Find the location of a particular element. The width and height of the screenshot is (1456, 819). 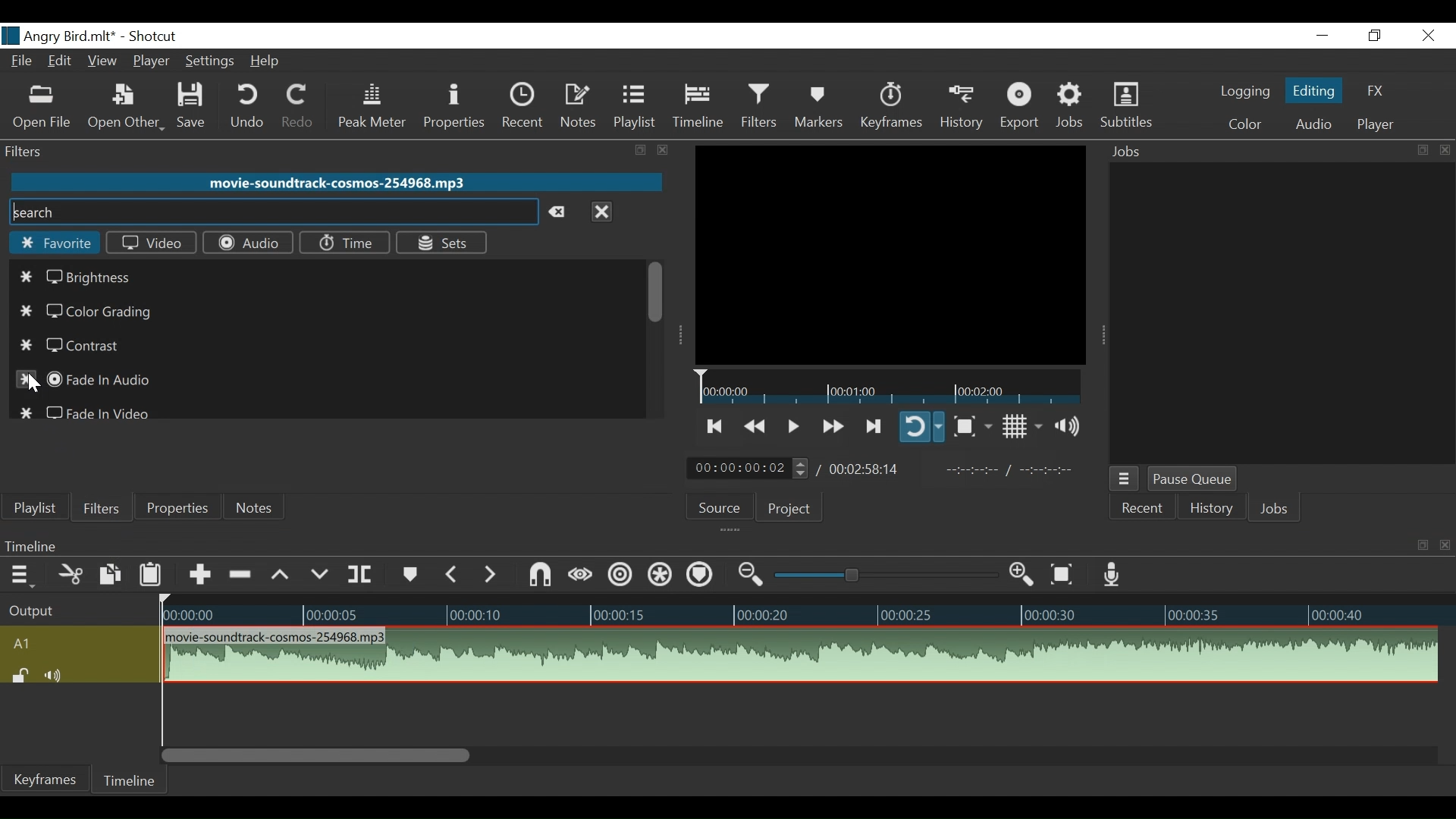

Zoom timeline in is located at coordinates (1025, 575).